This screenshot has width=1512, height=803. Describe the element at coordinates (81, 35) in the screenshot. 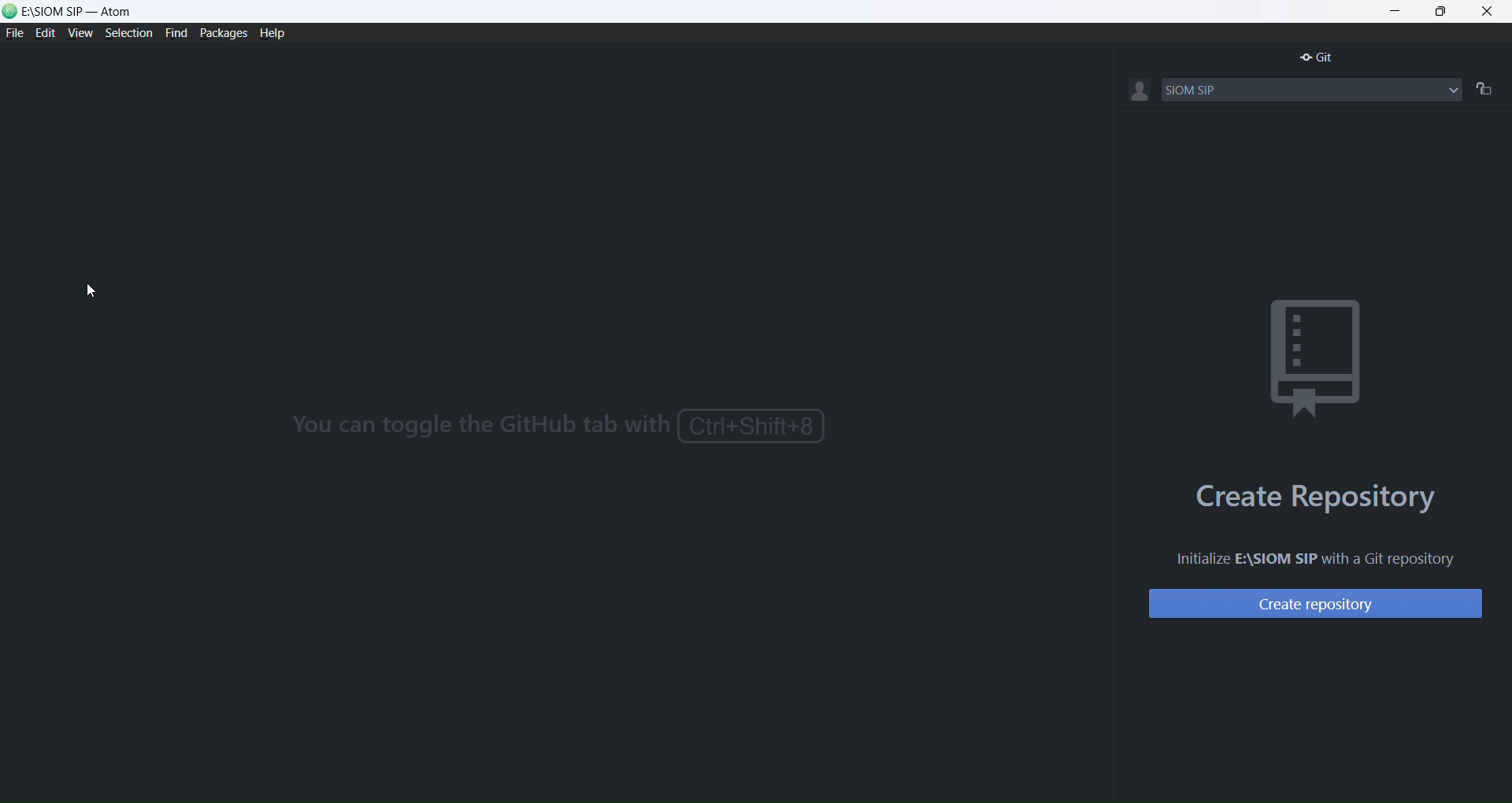

I see `view` at that location.